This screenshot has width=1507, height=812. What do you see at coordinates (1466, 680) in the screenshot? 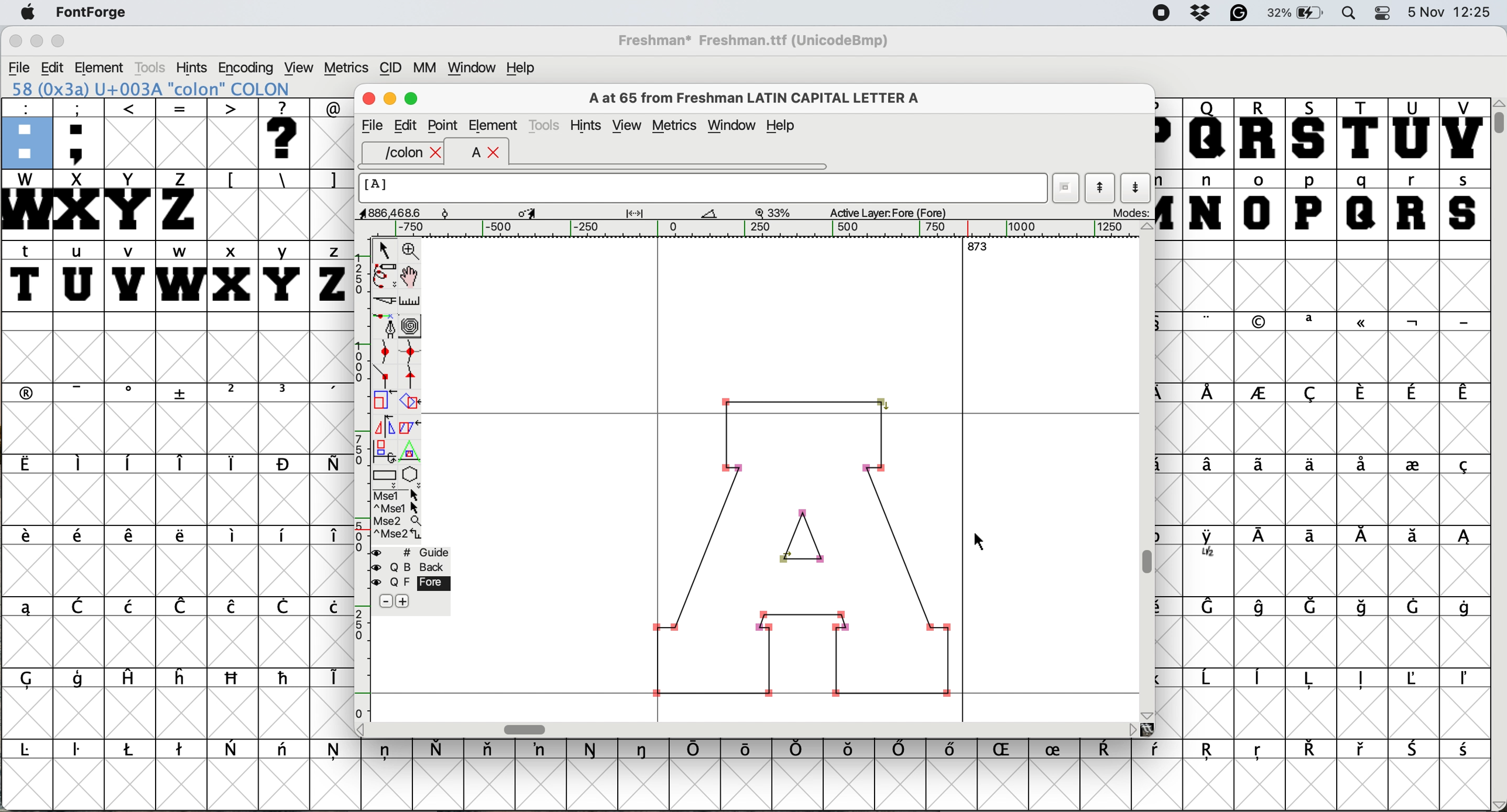
I see `symbol` at bounding box center [1466, 680].